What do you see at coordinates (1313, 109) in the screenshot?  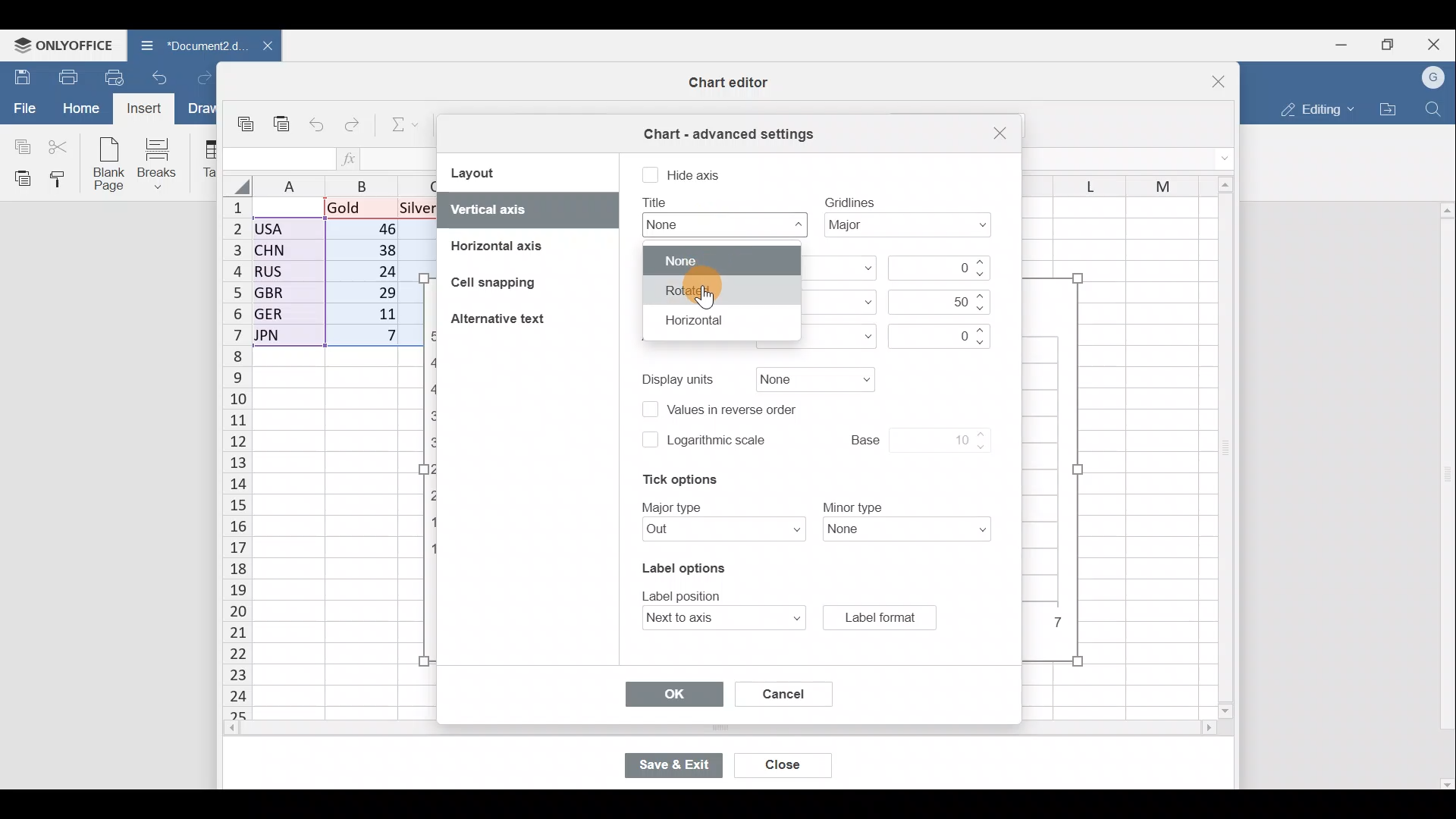 I see `Editing mode` at bounding box center [1313, 109].